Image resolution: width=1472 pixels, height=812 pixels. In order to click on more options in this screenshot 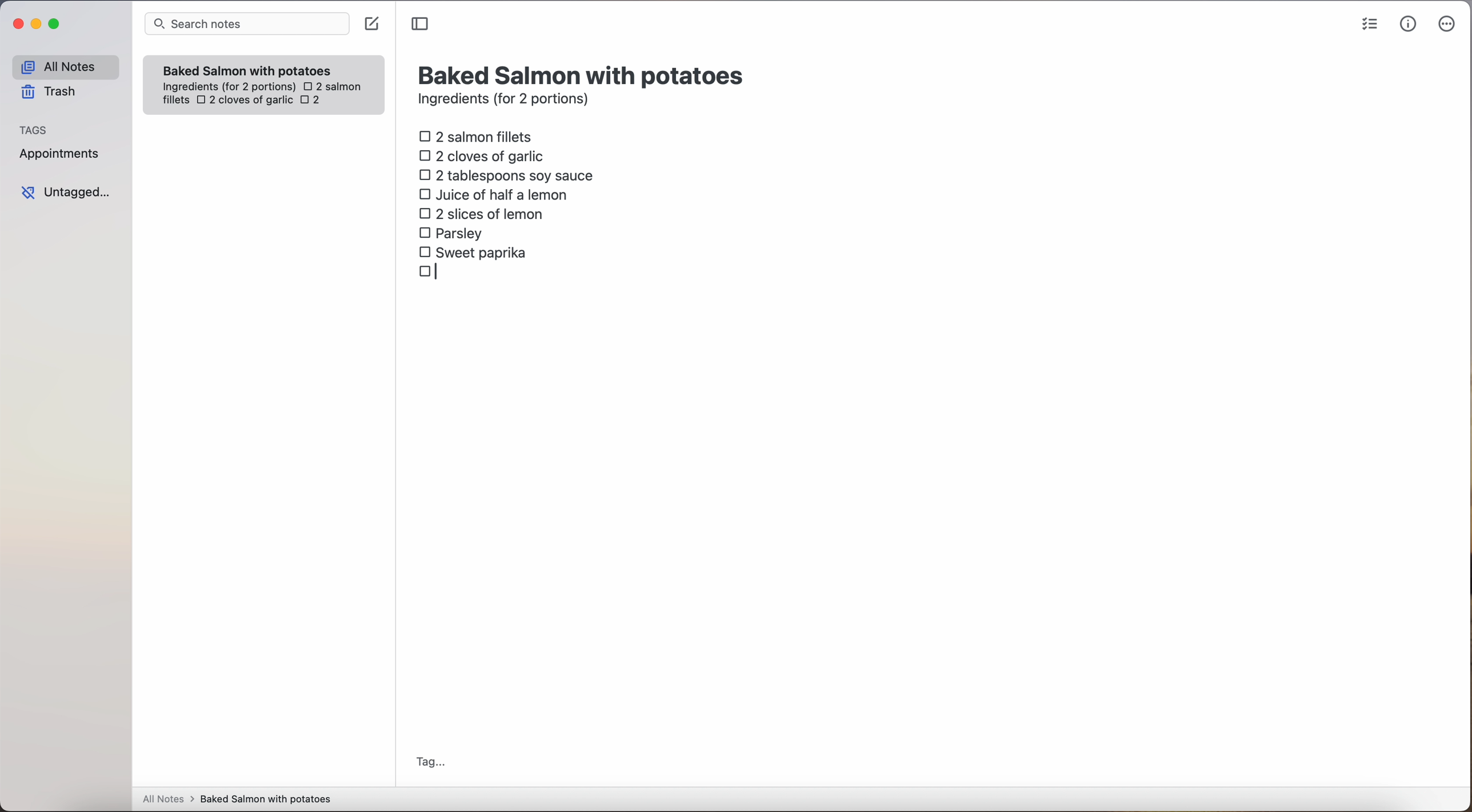, I will do `click(1449, 25)`.